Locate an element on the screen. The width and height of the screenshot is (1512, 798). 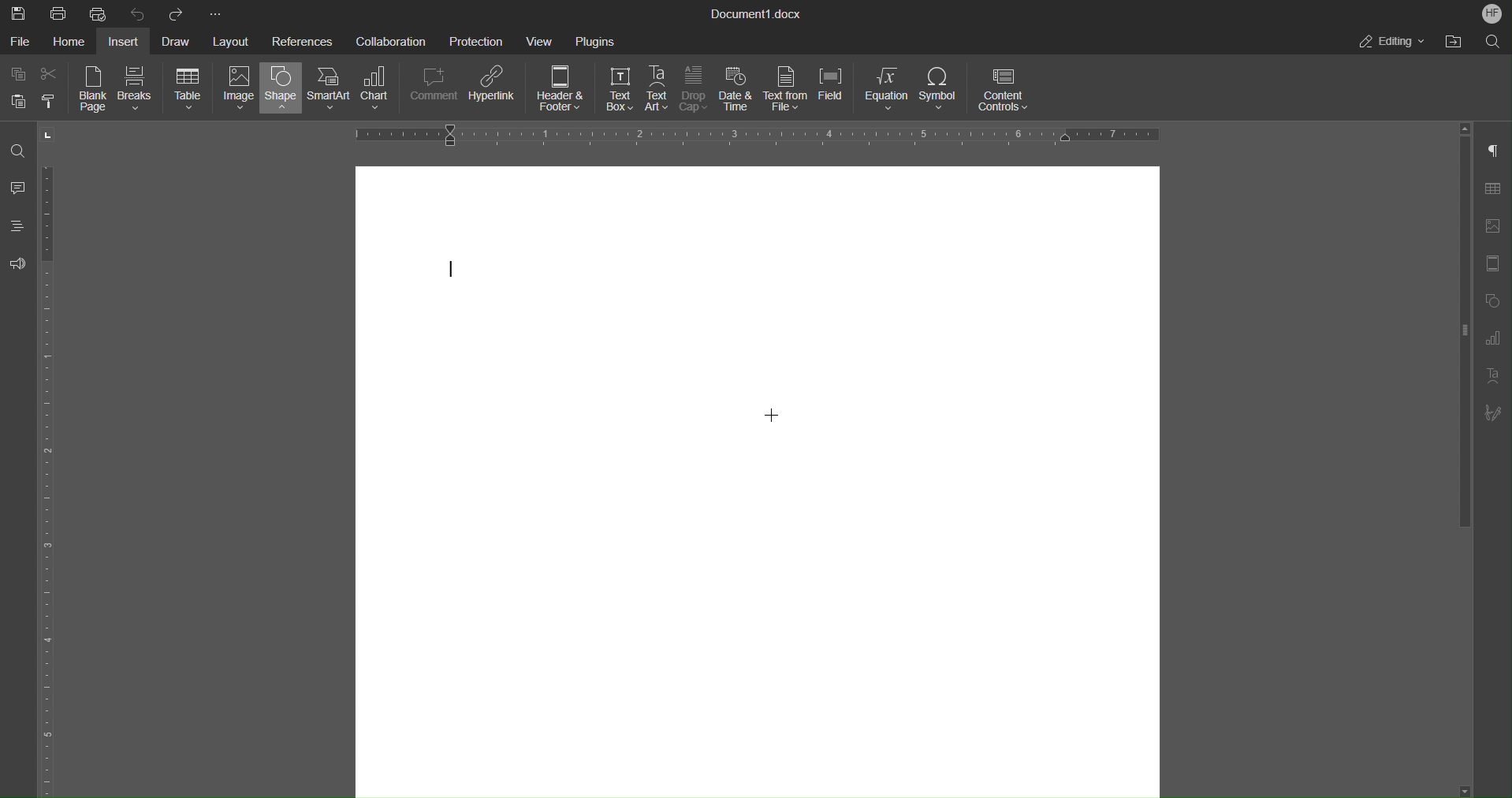
Layout is located at coordinates (233, 39).